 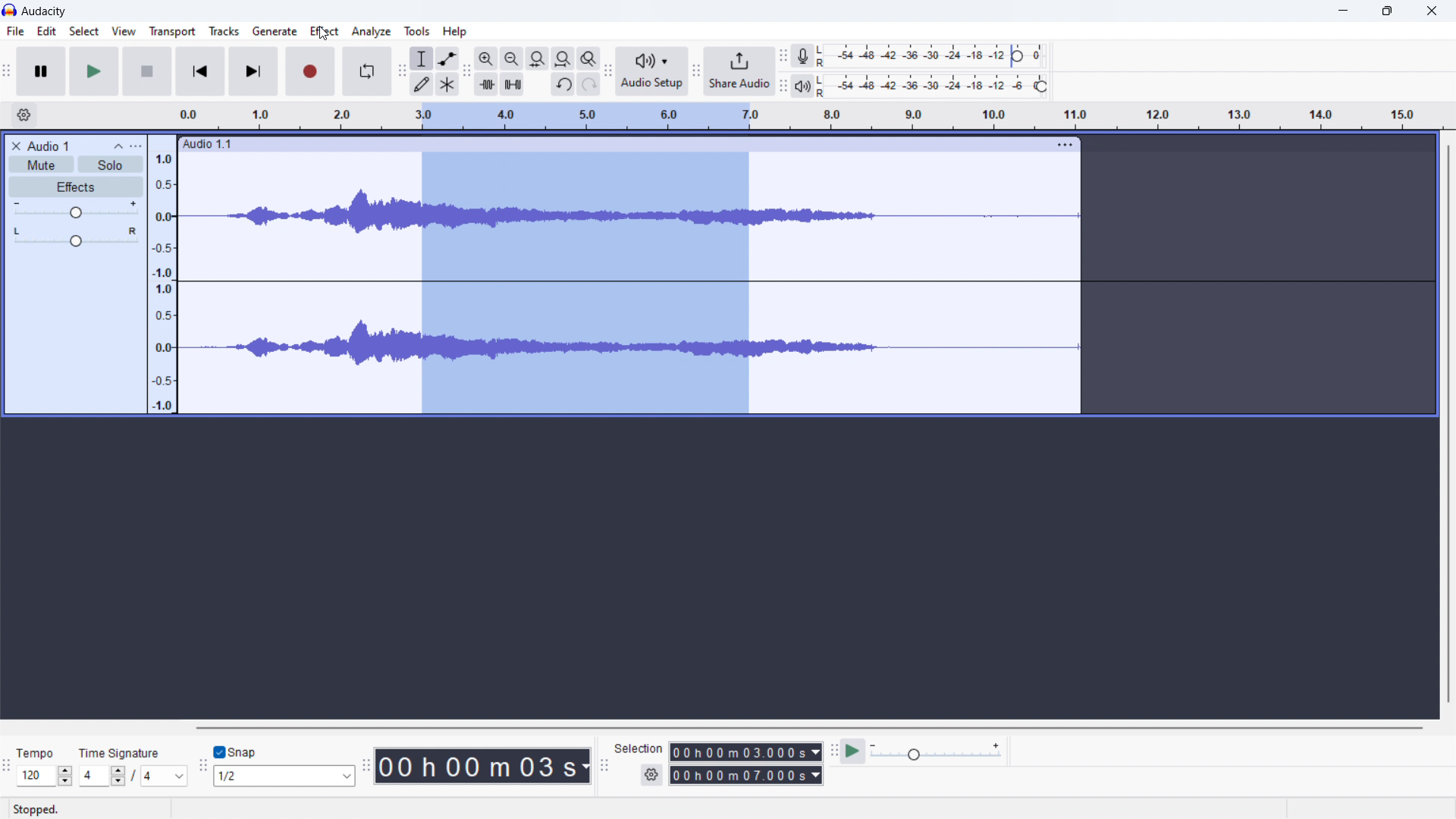 What do you see at coordinates (325, 31) in the screenshot?
I see `effect` at bounding box center [325, 31].